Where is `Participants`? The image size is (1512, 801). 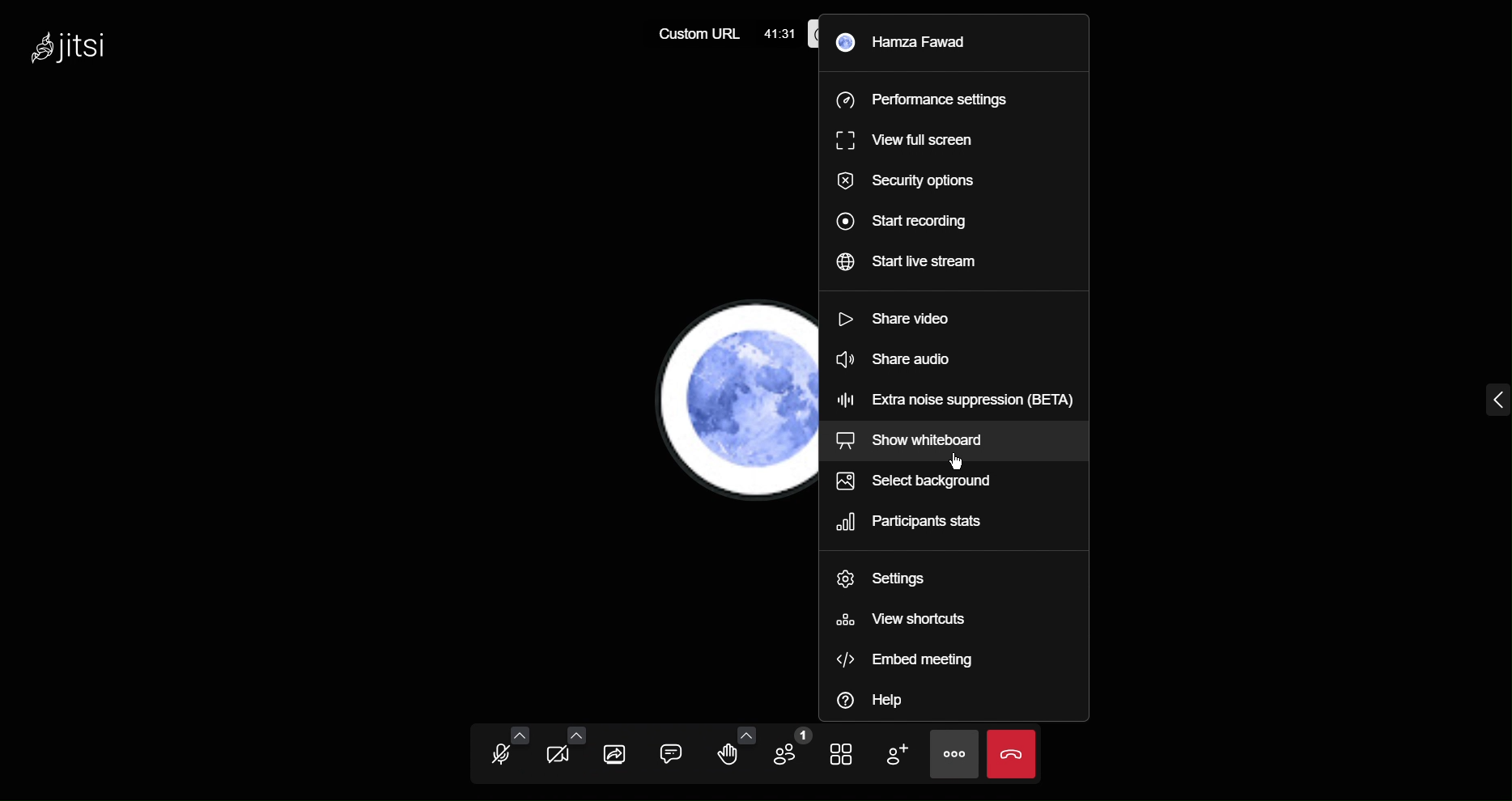 Participants is located at coordinates (792, 751).